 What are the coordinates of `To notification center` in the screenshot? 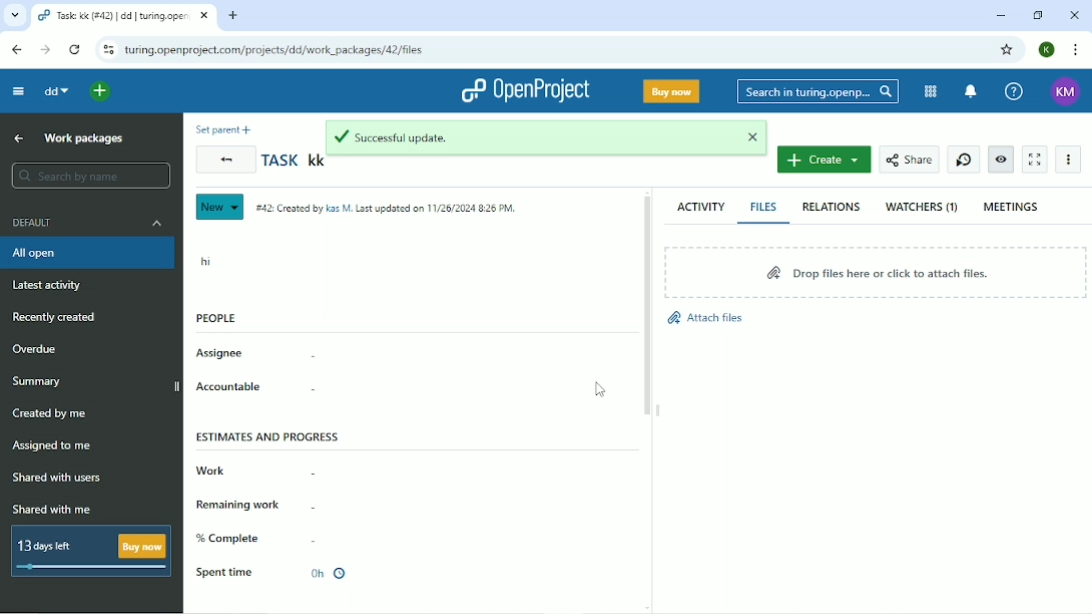 It's located at (971, 91).